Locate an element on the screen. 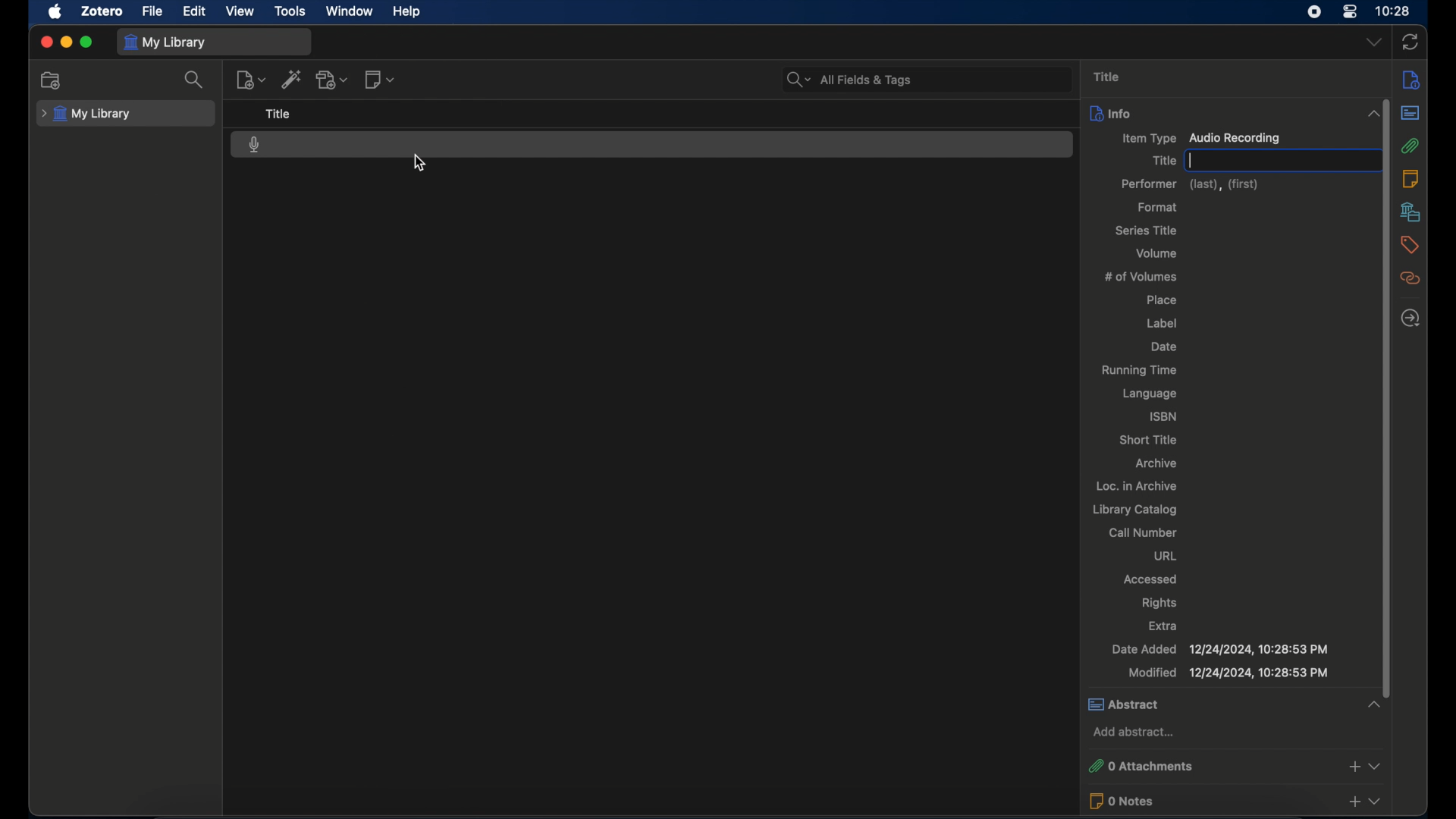  language is located at coordinates (1152, 395).